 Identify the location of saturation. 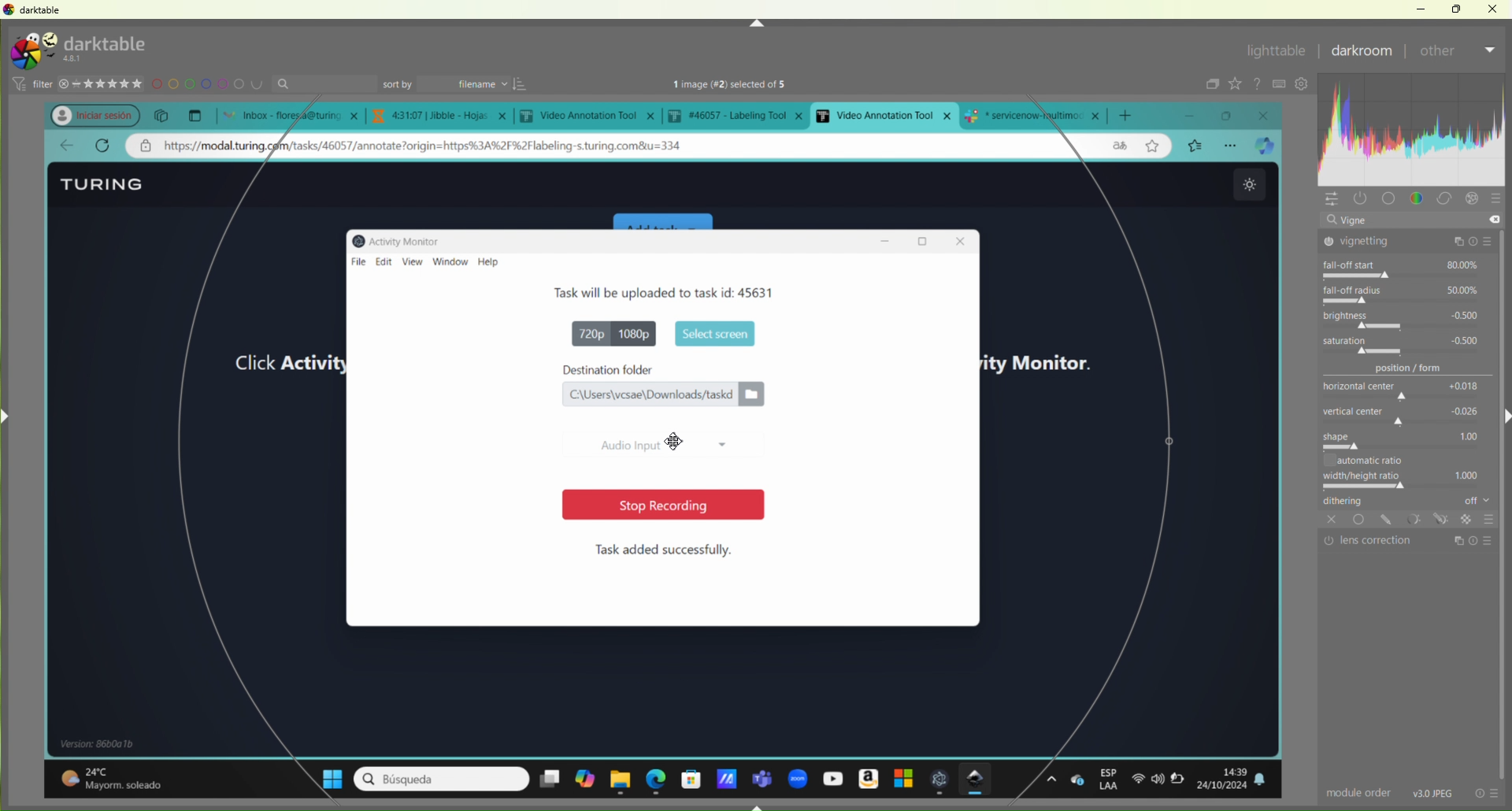
(1411, 344).